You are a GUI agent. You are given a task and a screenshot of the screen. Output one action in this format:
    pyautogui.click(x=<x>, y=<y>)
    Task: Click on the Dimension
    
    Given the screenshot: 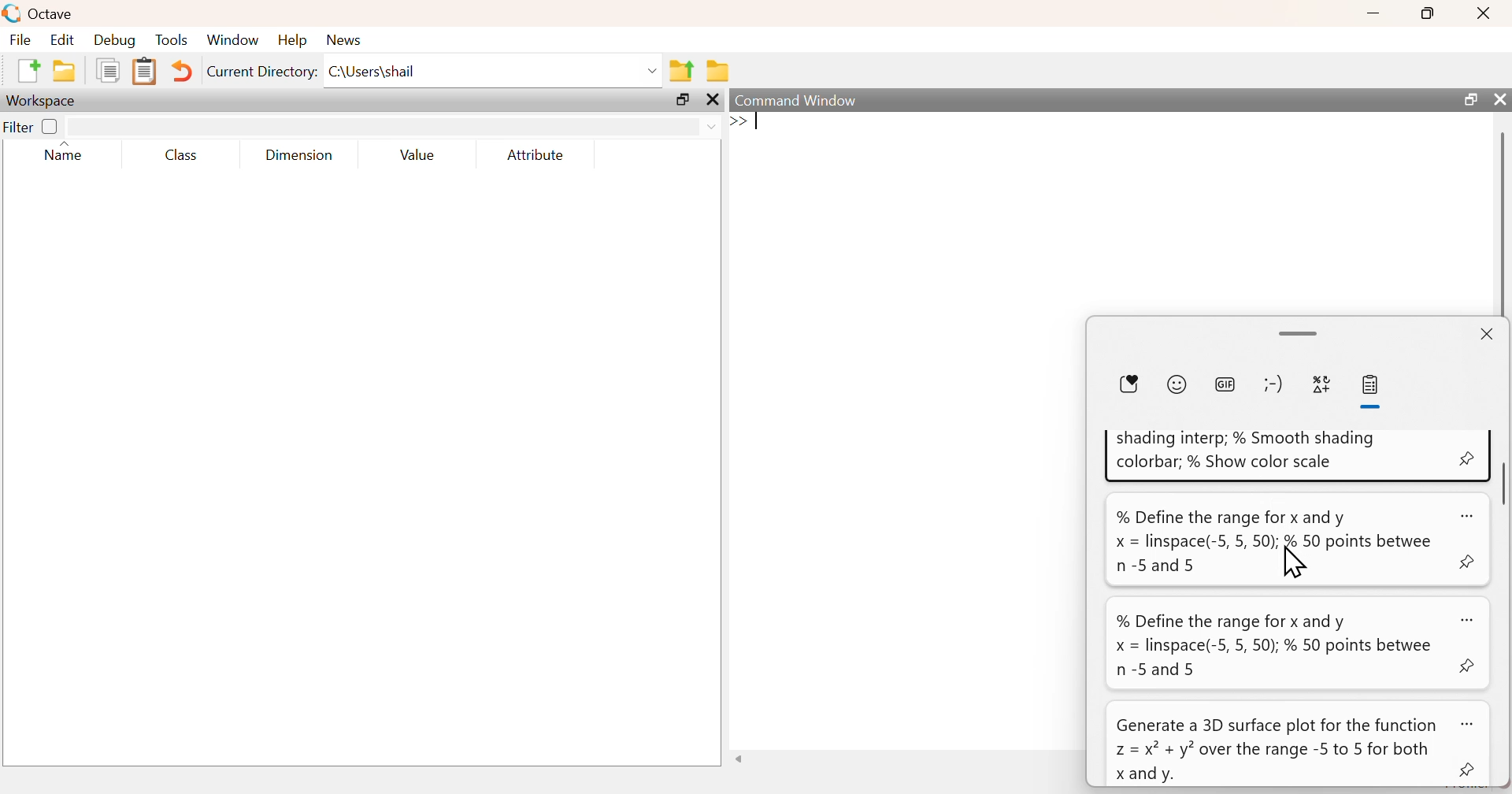 What is the action you would take?
    pyautogui.click(x=301, y=155)
    